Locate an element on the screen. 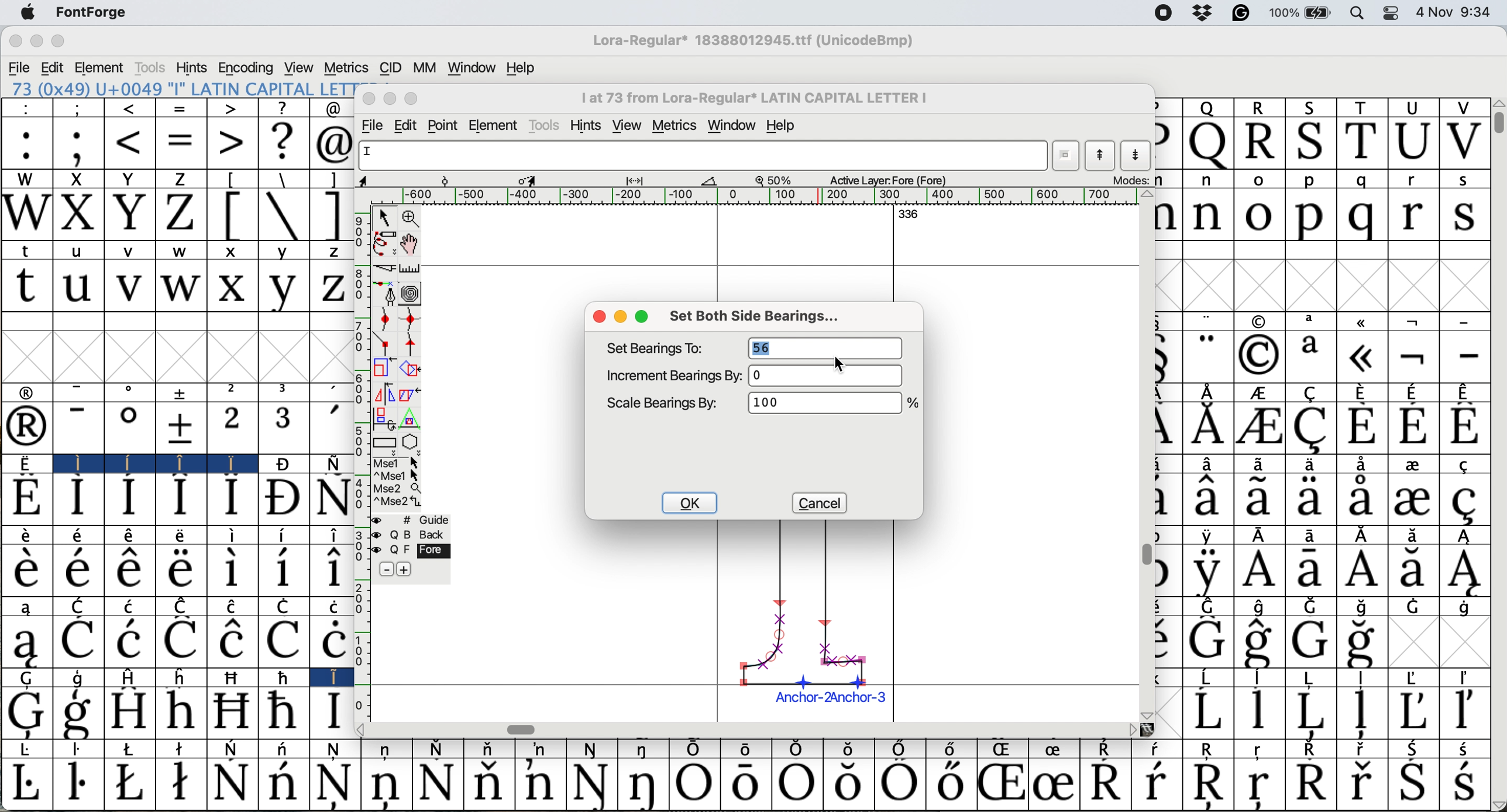 The image size is (1507, 812). X is located at coordinates (77, 179).